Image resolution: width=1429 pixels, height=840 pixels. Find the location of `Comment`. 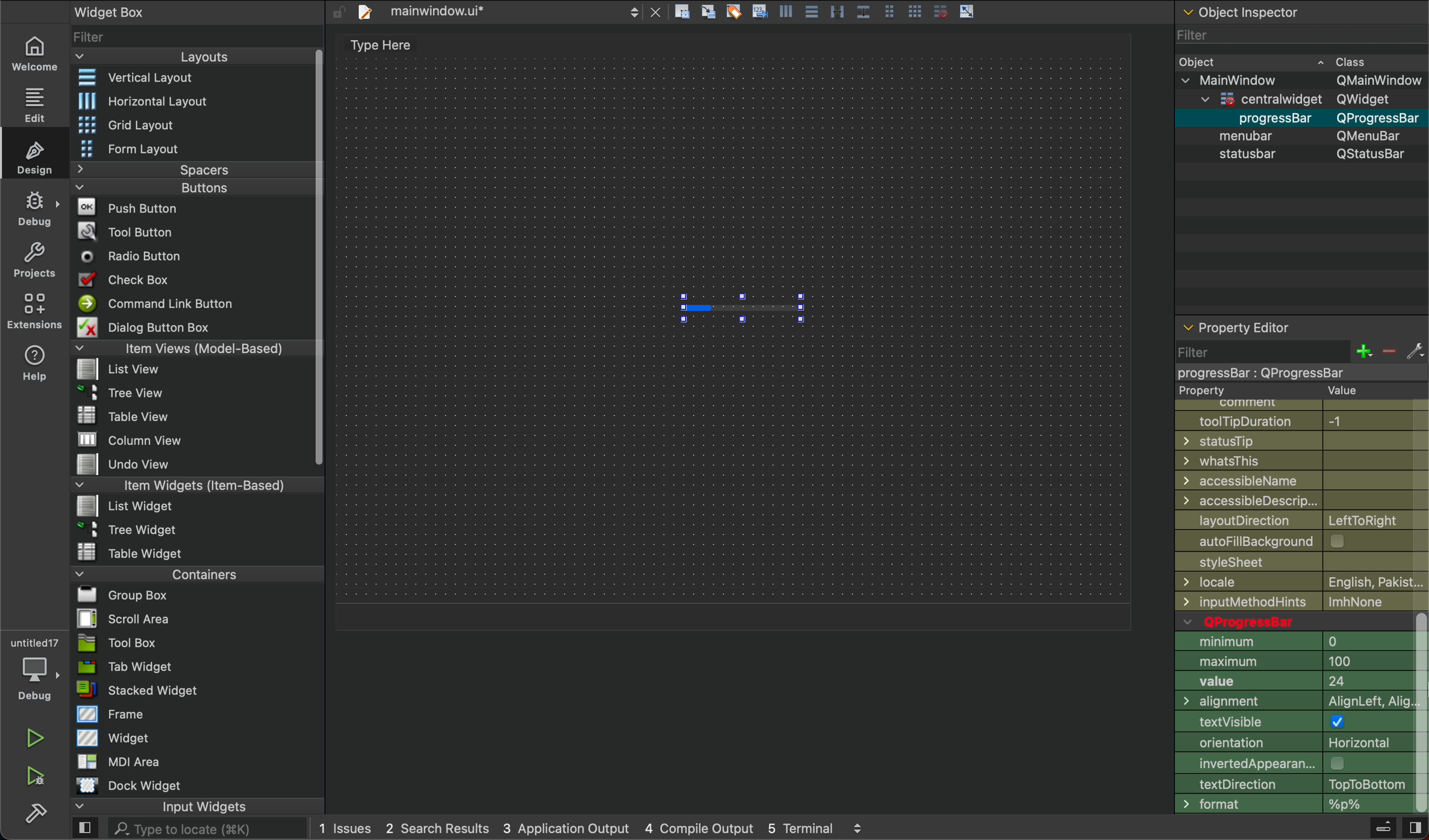

Comment is located at coordinates (1290, 404).